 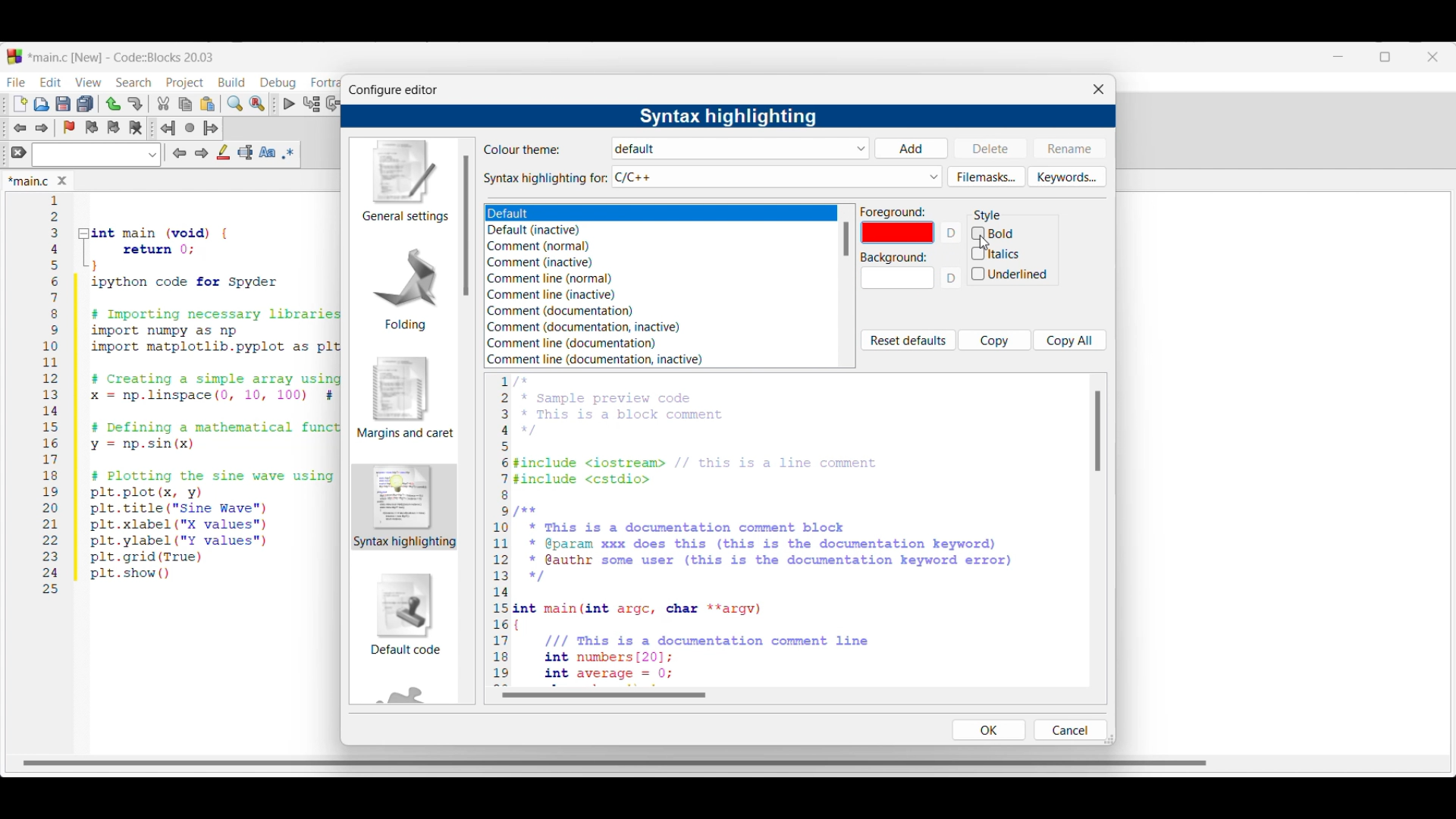 What do you see at coordinates (988, 730) in the screenshot?
I see `OK` at bounding box center [988, 730].